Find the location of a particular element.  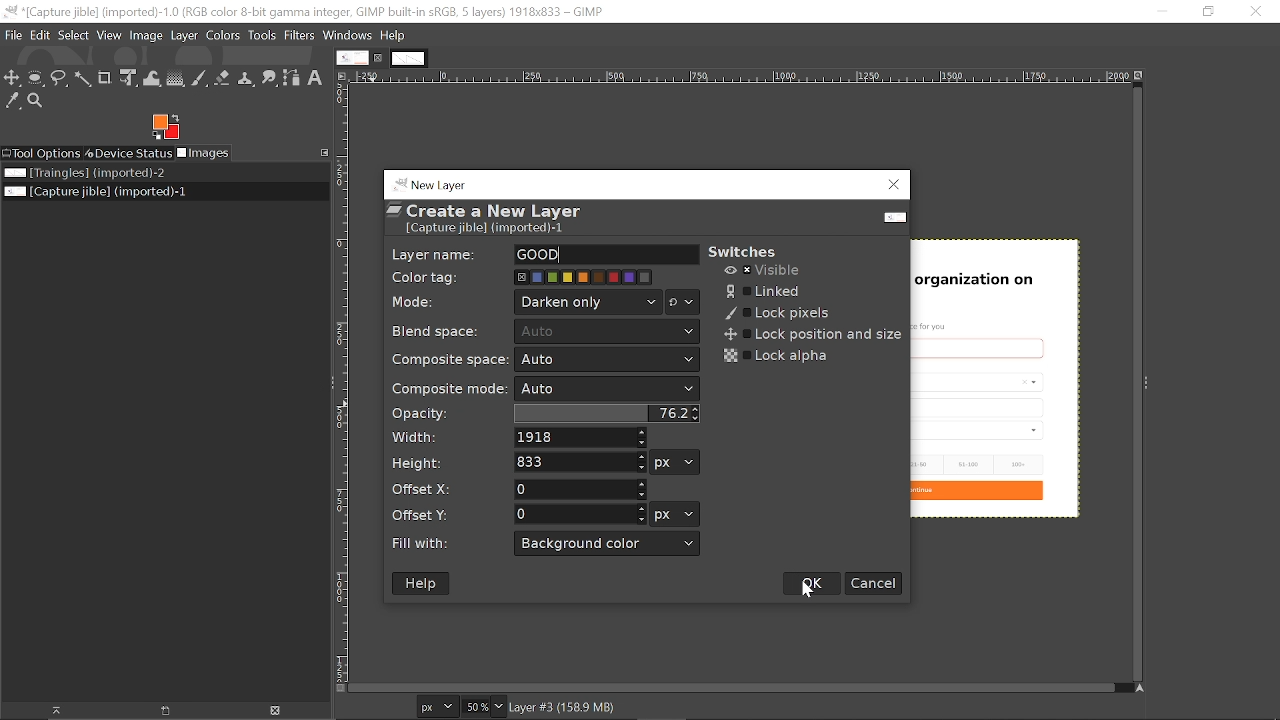

Current zoom is located at coordinates (475, 706).